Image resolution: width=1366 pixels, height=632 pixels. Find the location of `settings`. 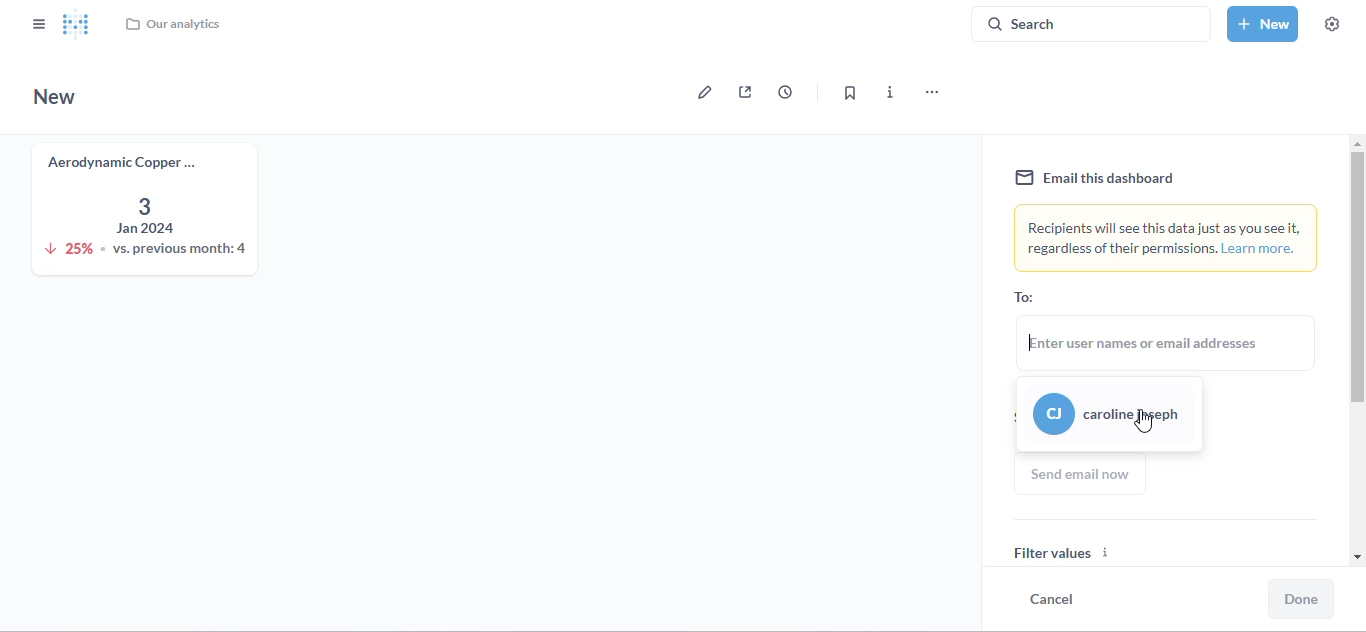

settings is located at coordinates (1332, 24).